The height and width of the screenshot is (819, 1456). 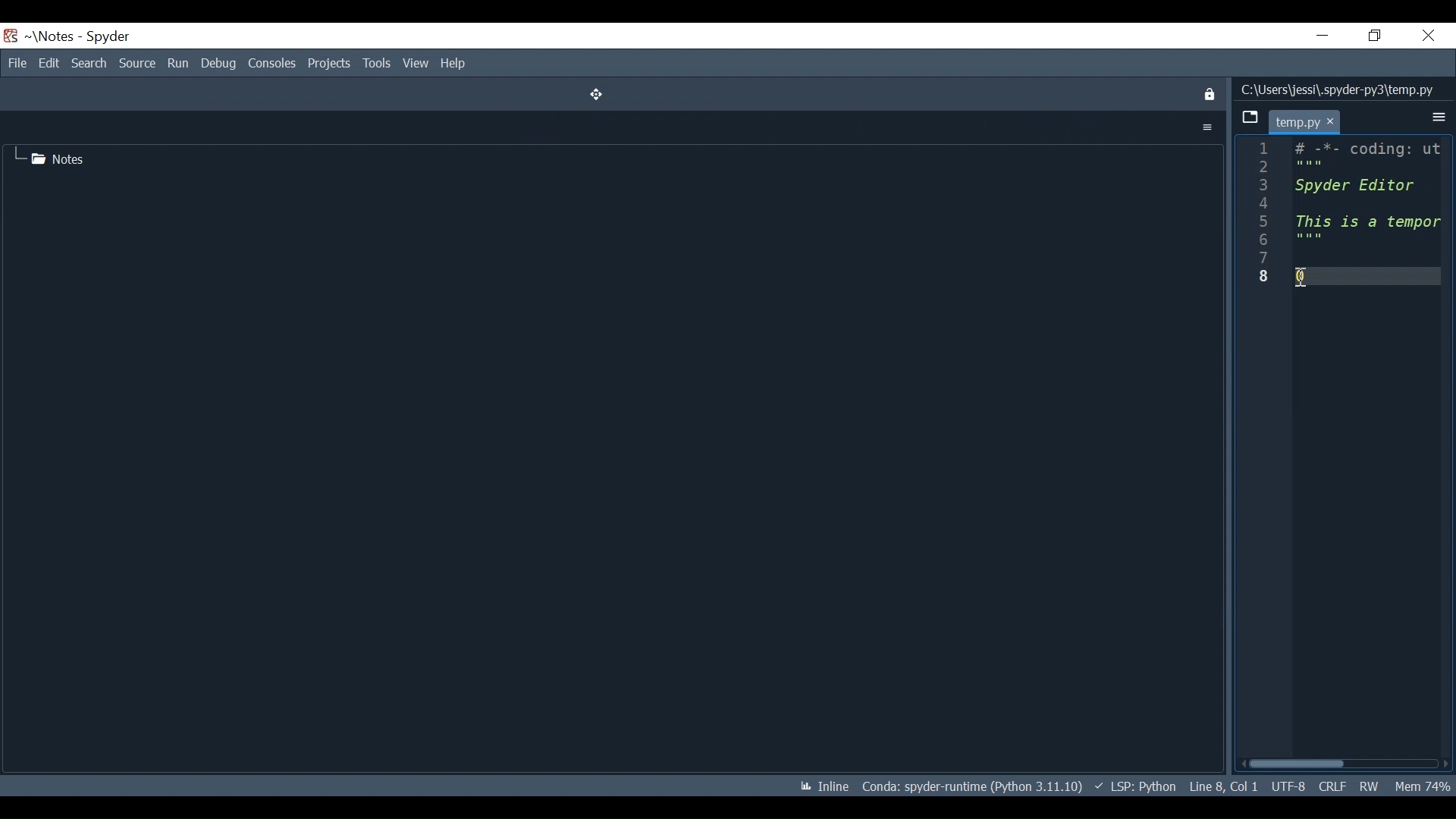 I want to click on Edit, so click(x=48, y=63).